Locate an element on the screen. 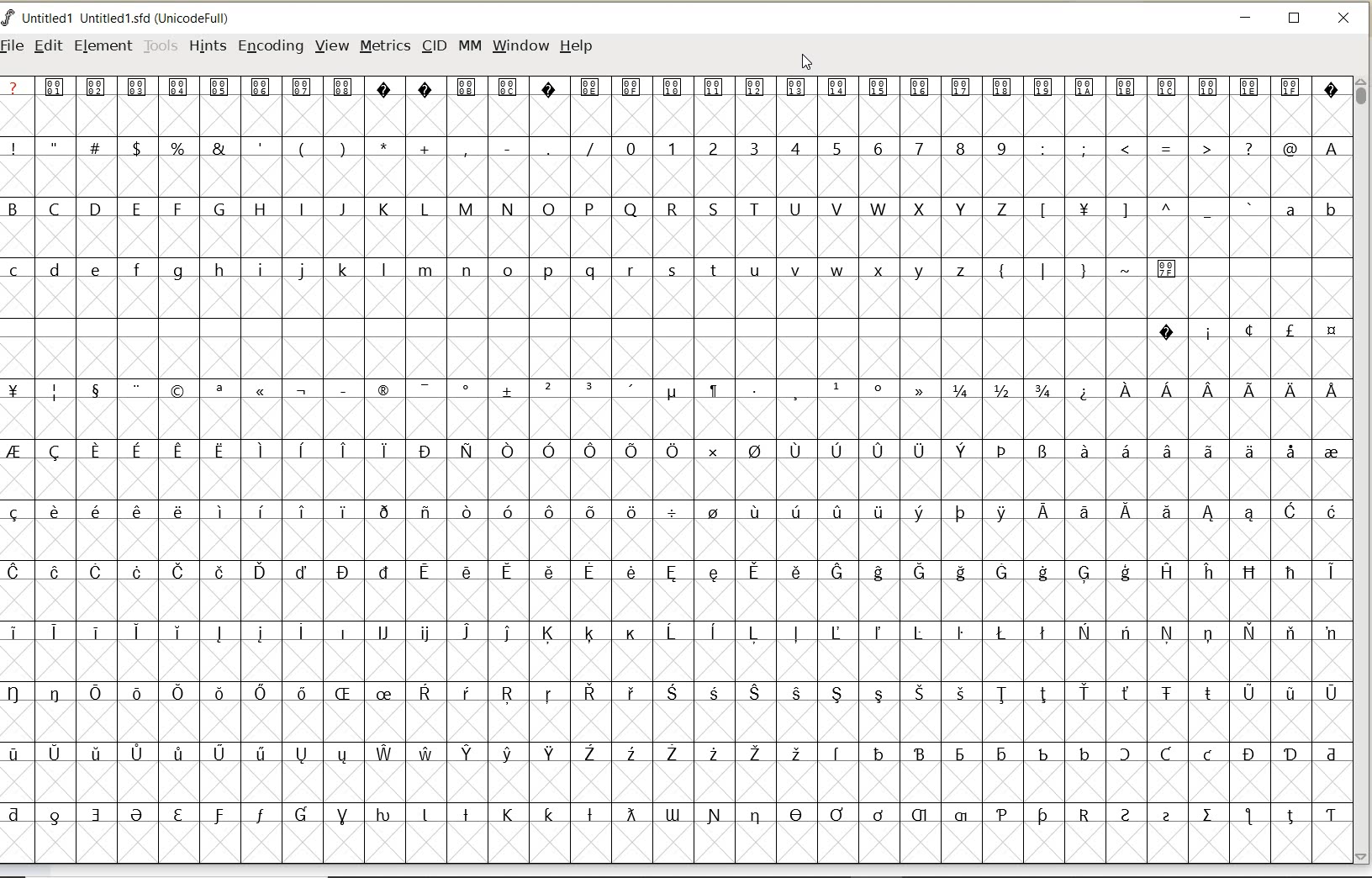 The image size is (1372, 878). special characters is located at coordinates (300, 147).